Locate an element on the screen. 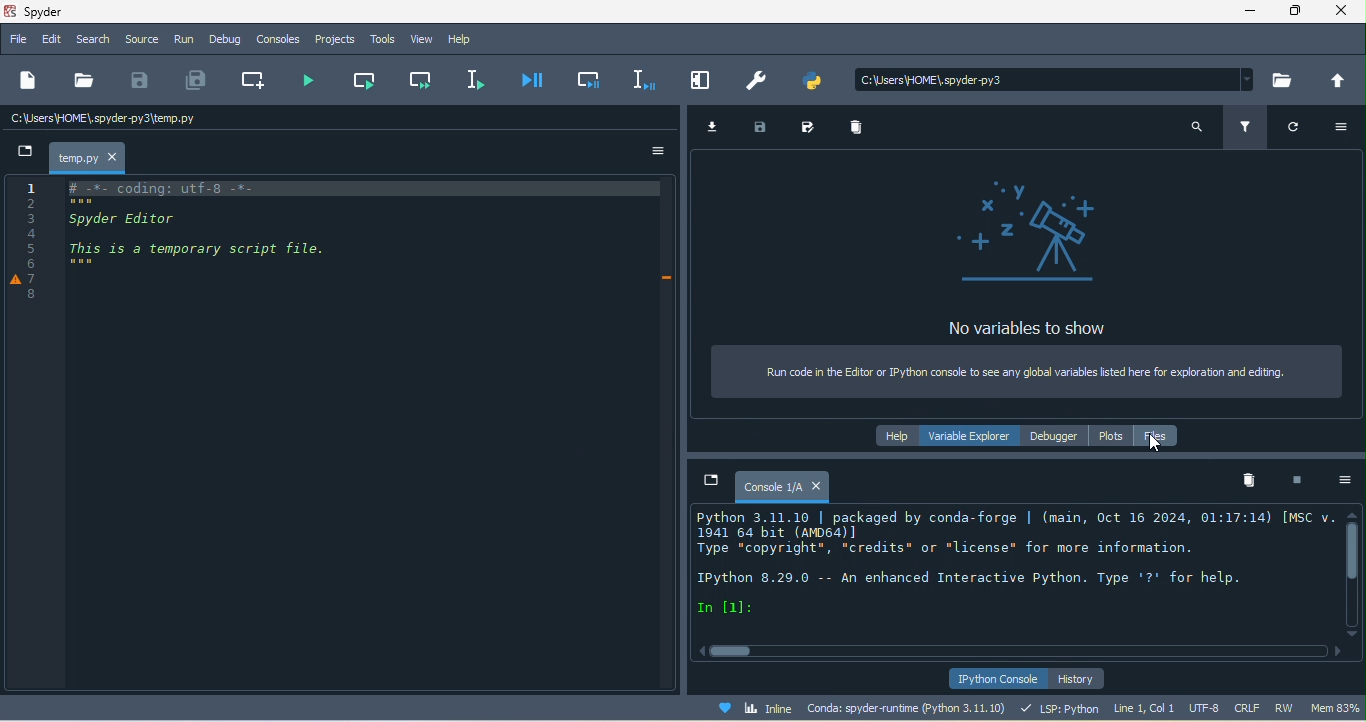 The height and width of the screenshot is (722, 1366). mem 83% is located at coordinates (1336, 708).